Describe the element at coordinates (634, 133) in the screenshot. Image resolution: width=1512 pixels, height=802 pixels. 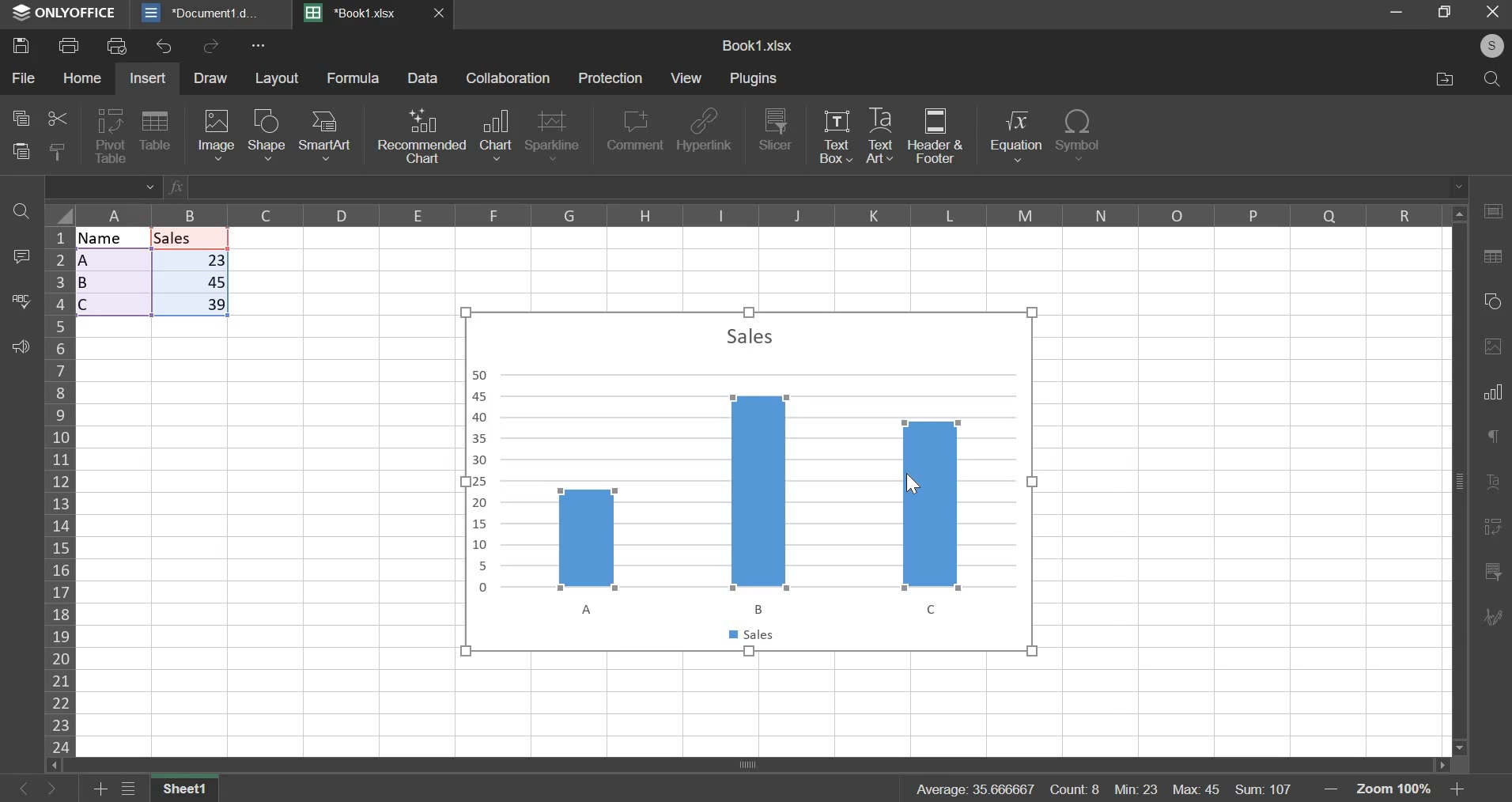
I see `comment` at that location.